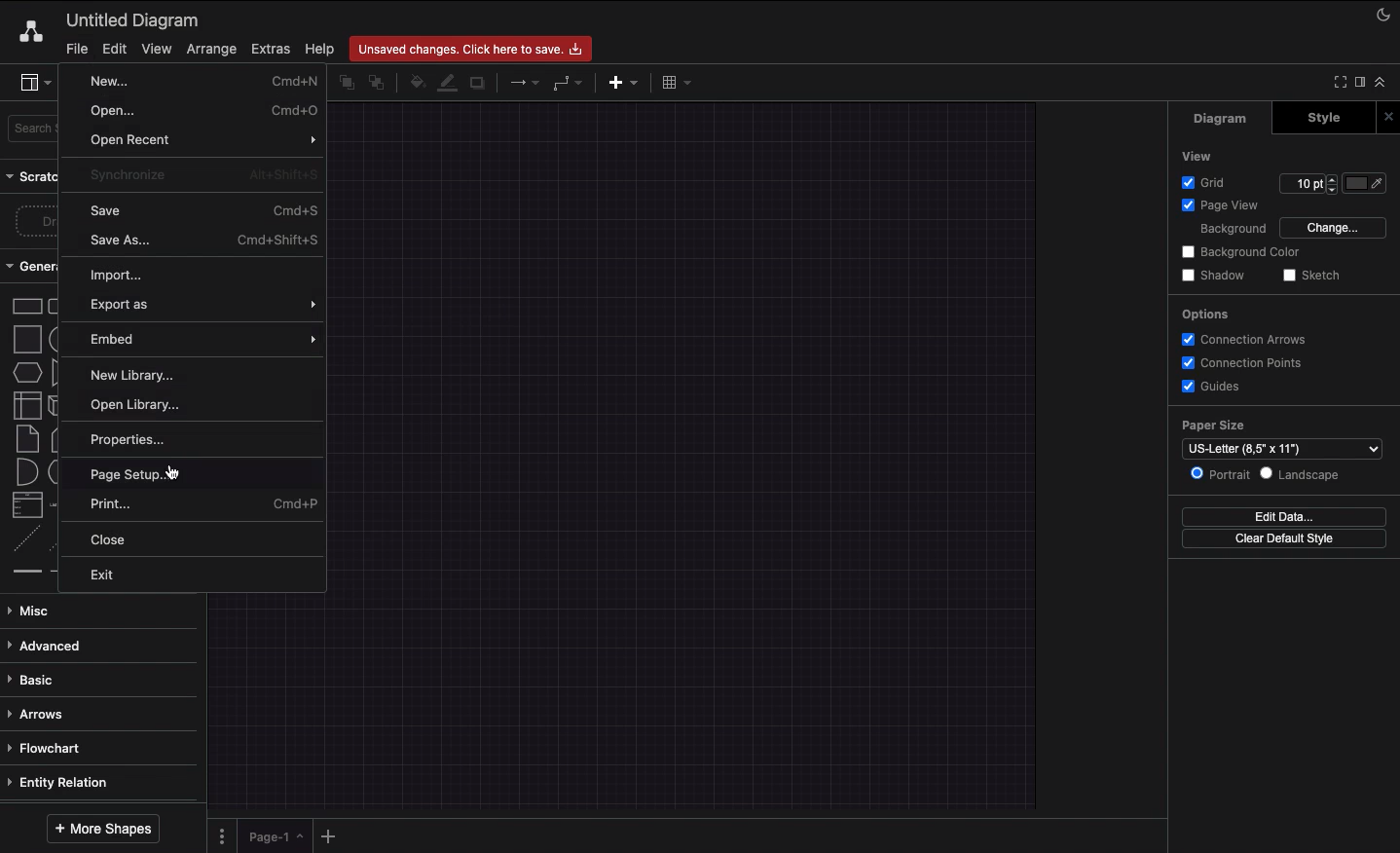  What do you see at coordinates (1332, 226) in the screenshot?
I see `Change` at bounding box center [1332, 226].